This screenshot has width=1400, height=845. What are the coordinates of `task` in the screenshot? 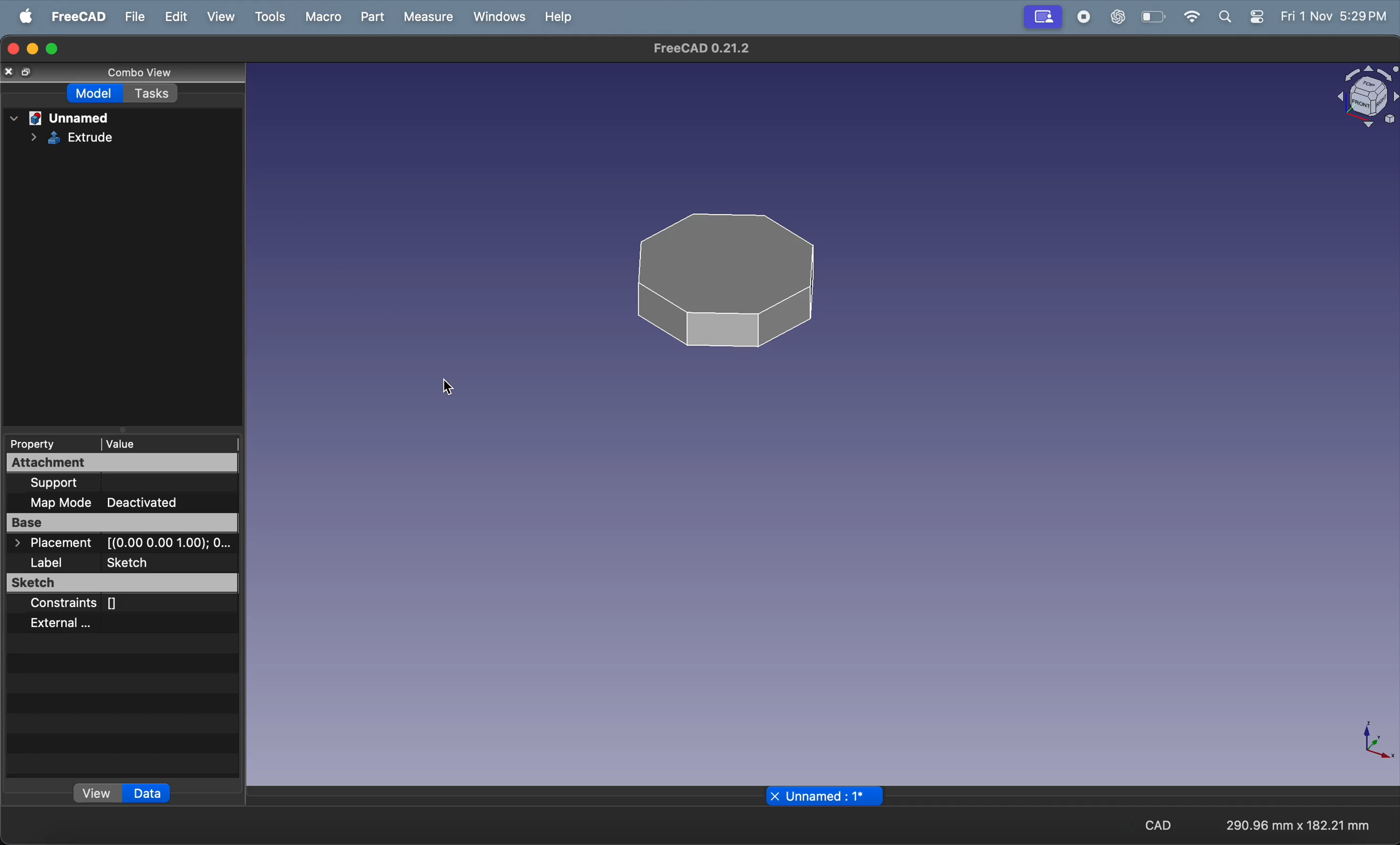 It's located at (153, 95).